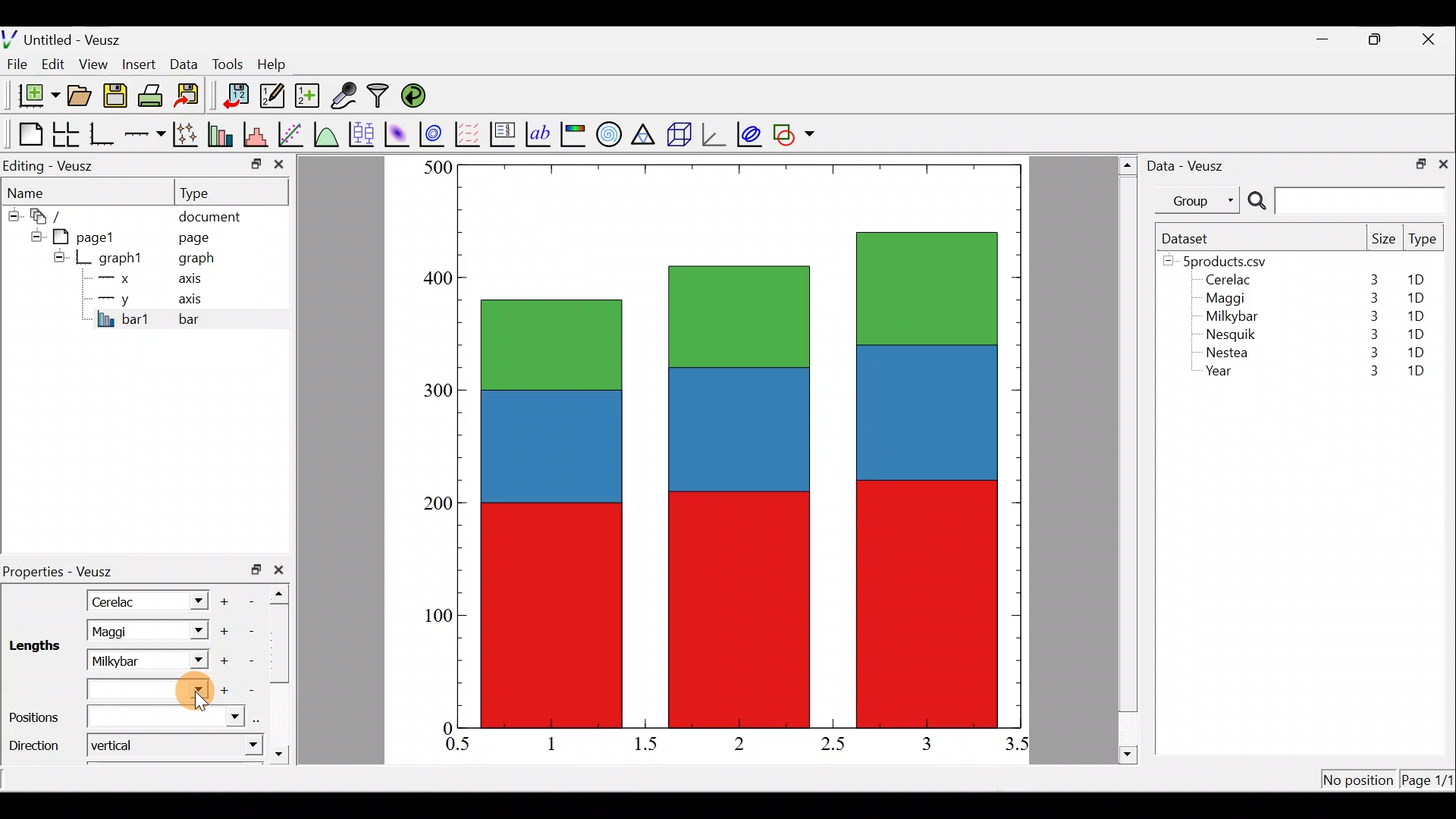 The width and height of the screenshot is (1456, 819). Describe the element at coordinates (54, 214) in the screenshot. I see `document widget` at that location.